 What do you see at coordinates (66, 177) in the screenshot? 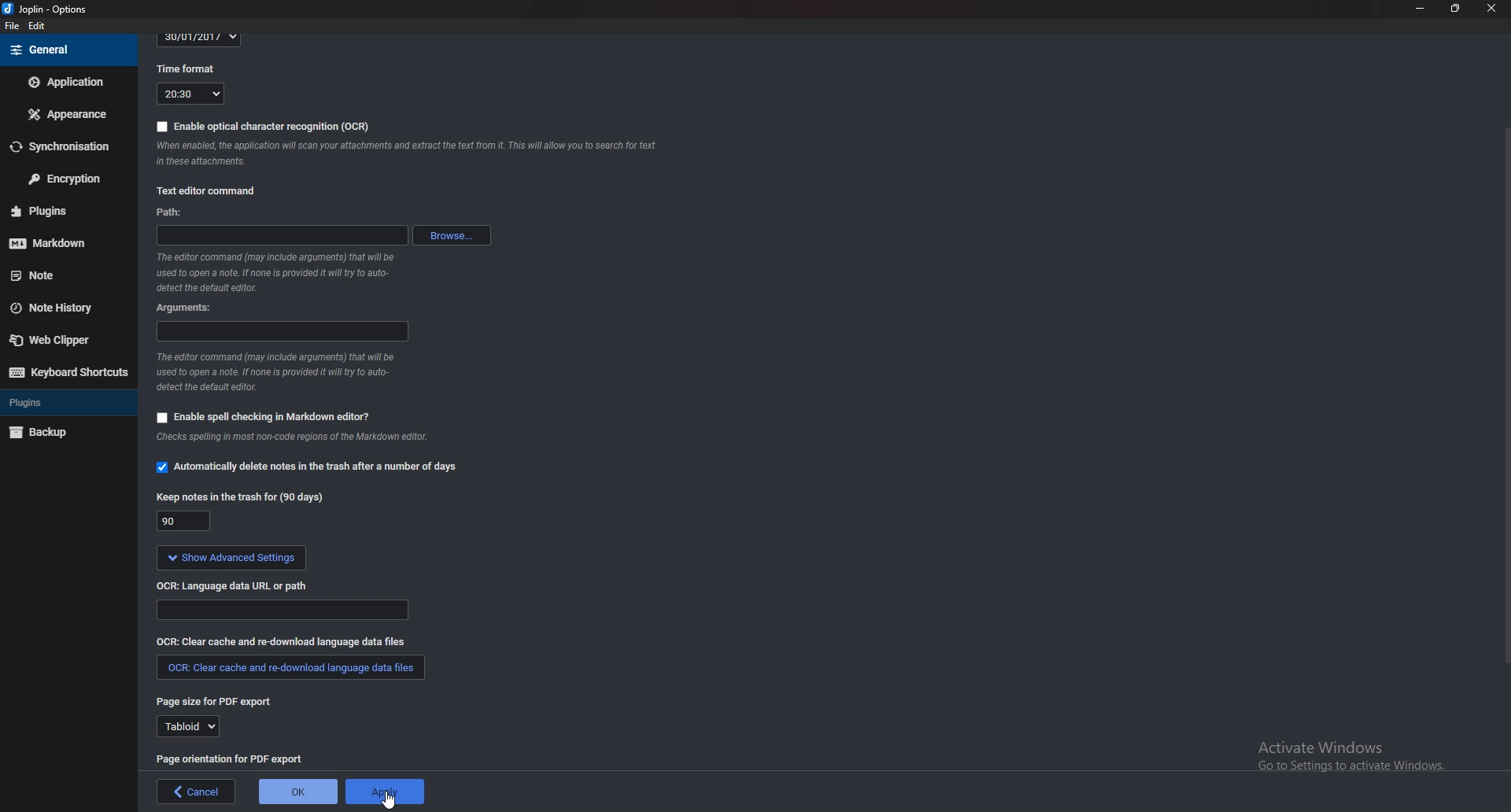
I see `Encryption` at bounding box center [66, 177].